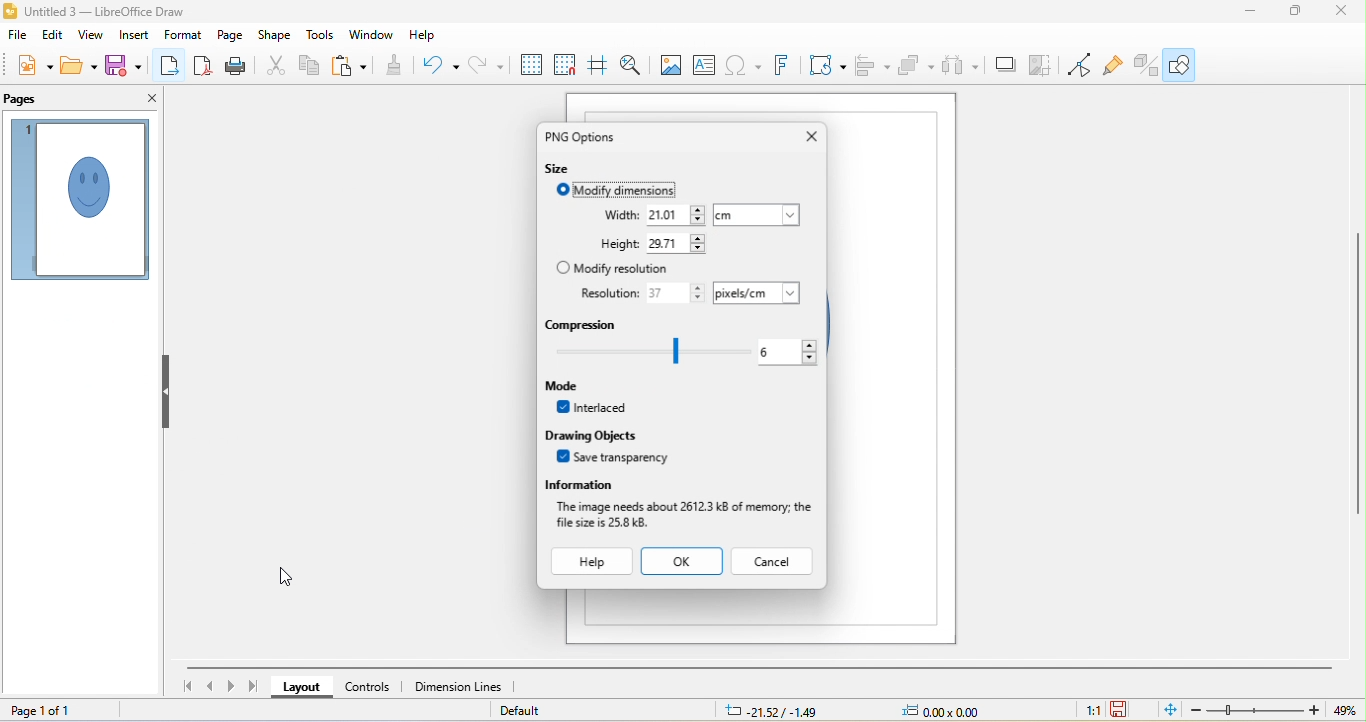 This screenshot has width=1366, height=722. I want to click on help, so click(424, 36).